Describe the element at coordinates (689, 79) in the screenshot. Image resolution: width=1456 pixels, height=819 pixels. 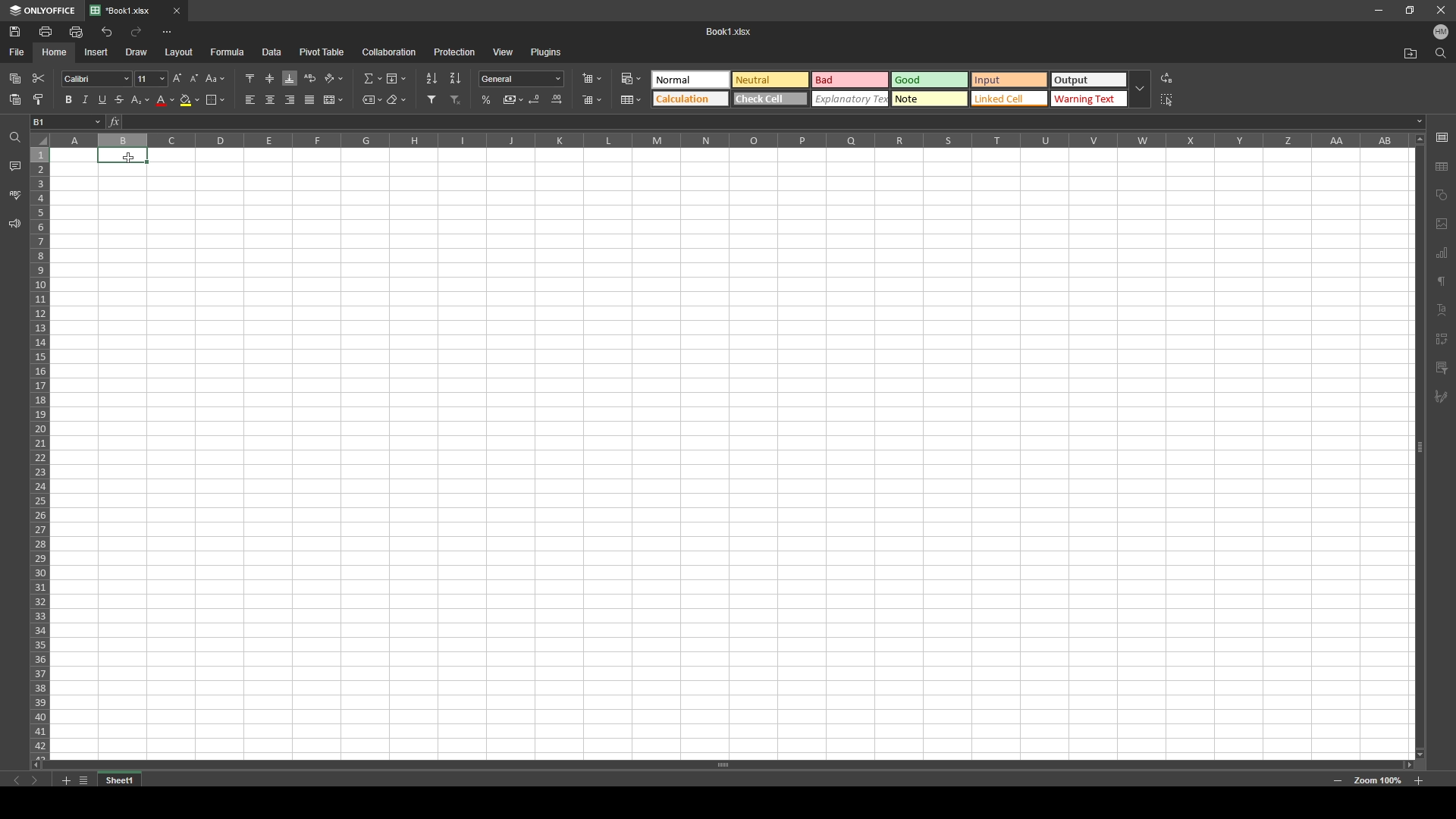
I see `Neutral` at that location.